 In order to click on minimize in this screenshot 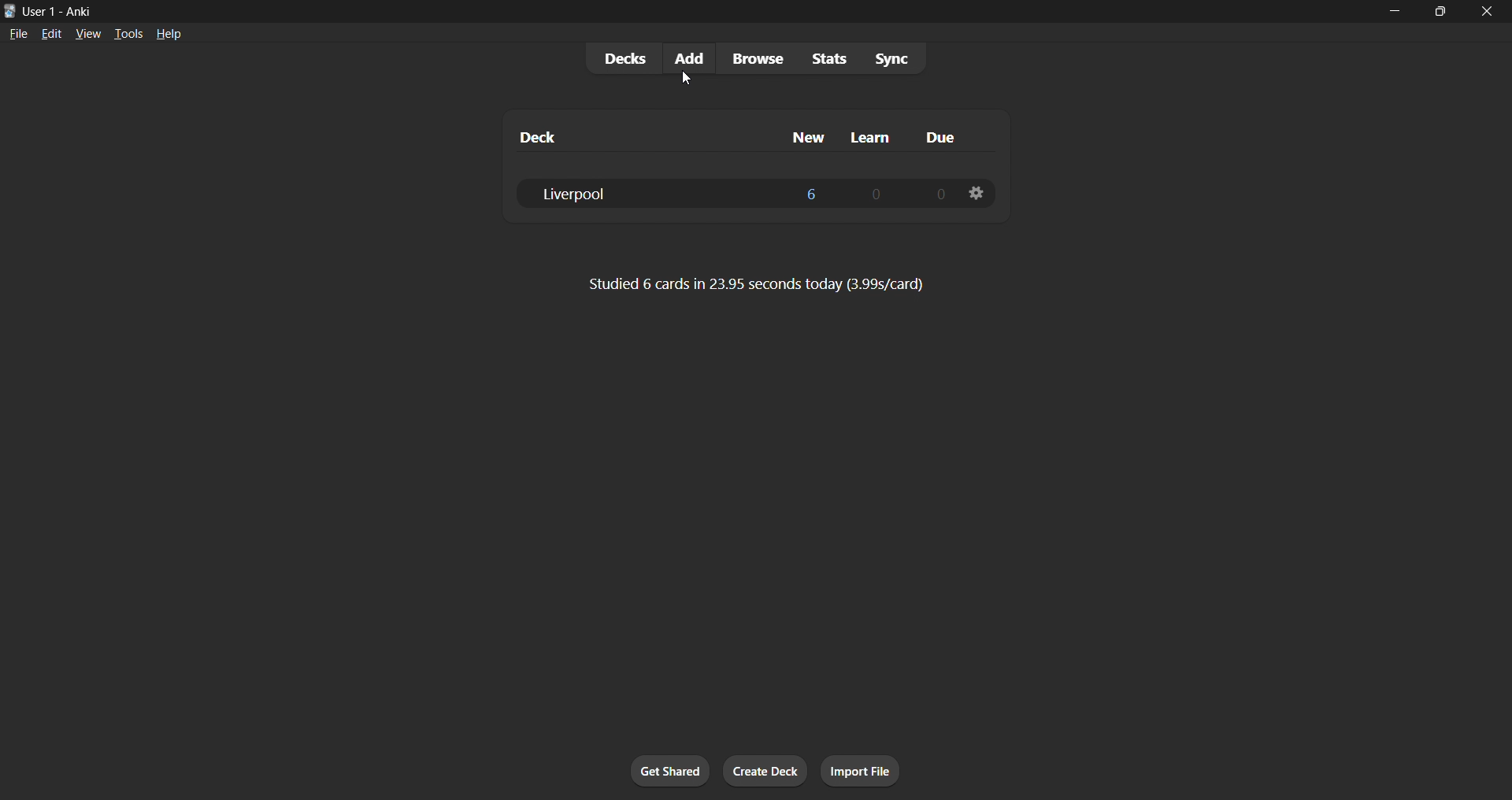, I will do `click(1394, 12)`.